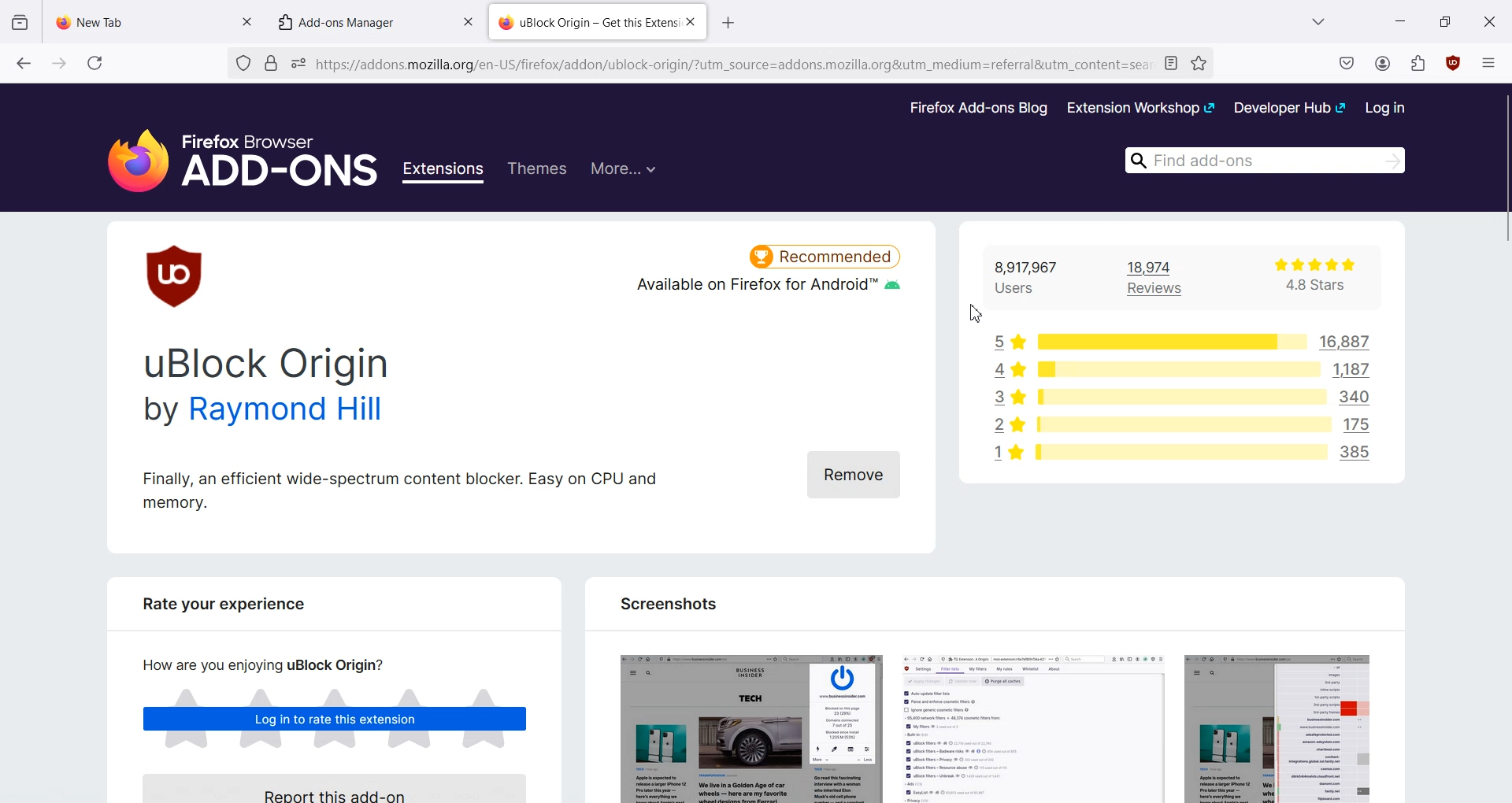  Describe the element at coordinates (95, 63) in the screenshot. I see `Refresh` at that location.